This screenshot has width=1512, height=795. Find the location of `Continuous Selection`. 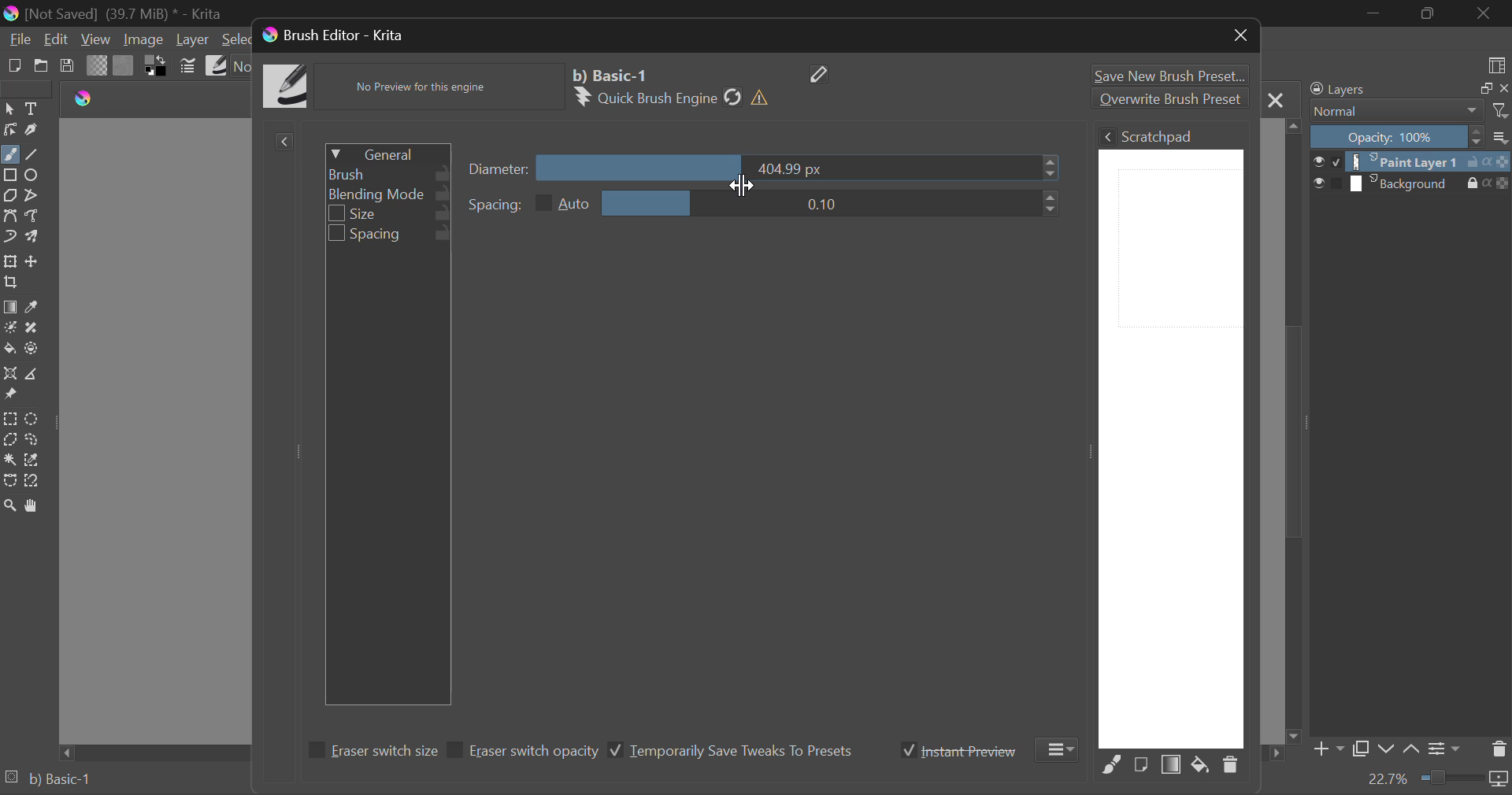

Continuous Selection is located at coordinates (9, 460).